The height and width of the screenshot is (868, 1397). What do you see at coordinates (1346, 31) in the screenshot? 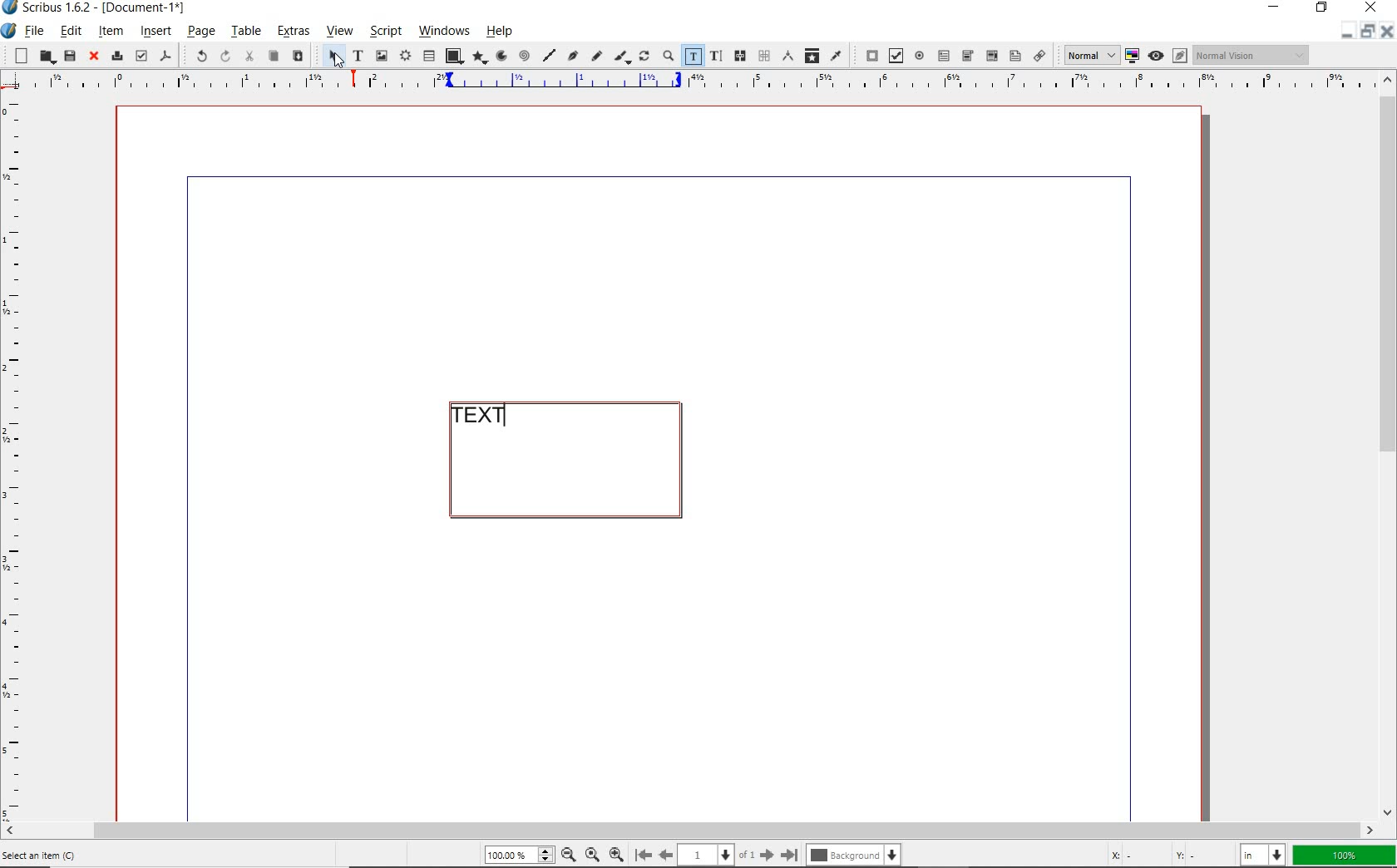
I see `Restore Down` at bounding box center [1346, 31].